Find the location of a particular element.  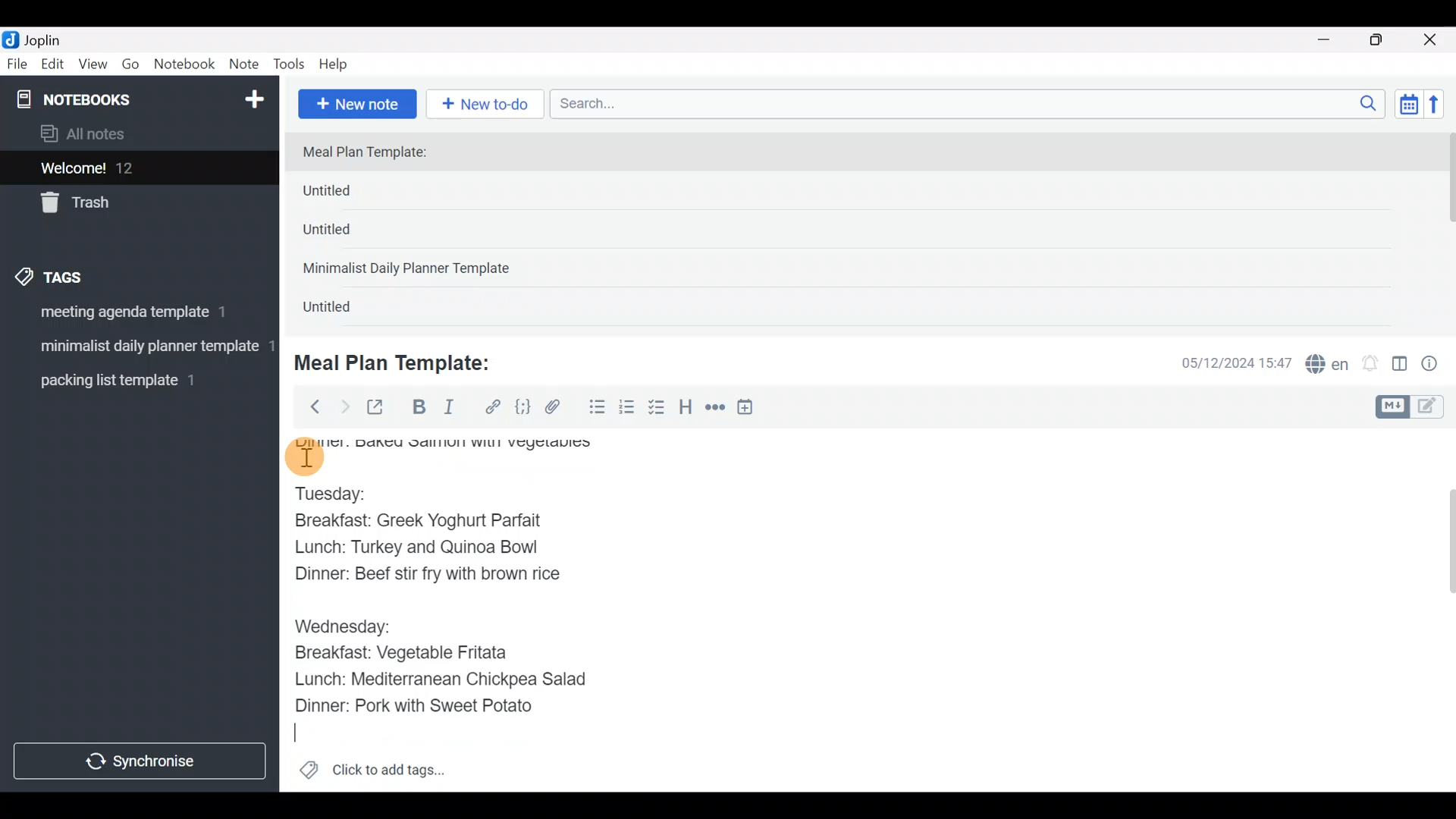

Joplin is located at coordinates (52, 38).